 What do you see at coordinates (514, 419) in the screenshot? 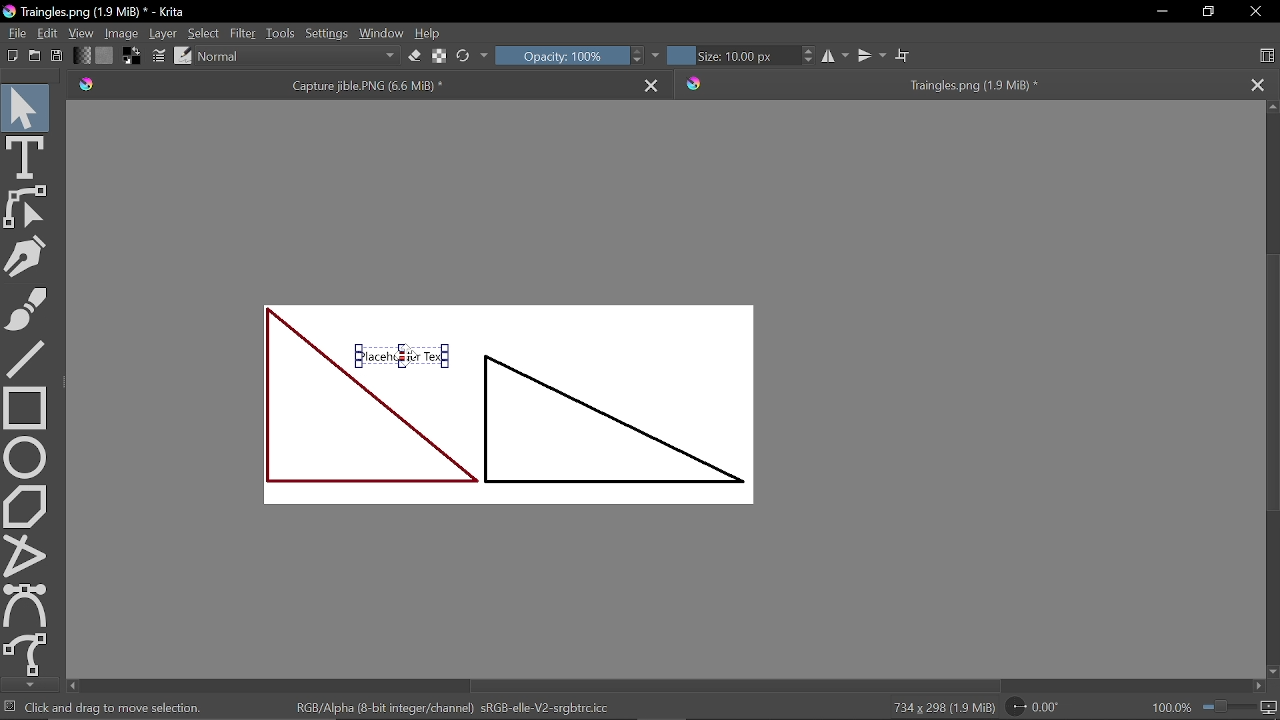
I see `Placeholder Text` at bounding box center [514, 419].